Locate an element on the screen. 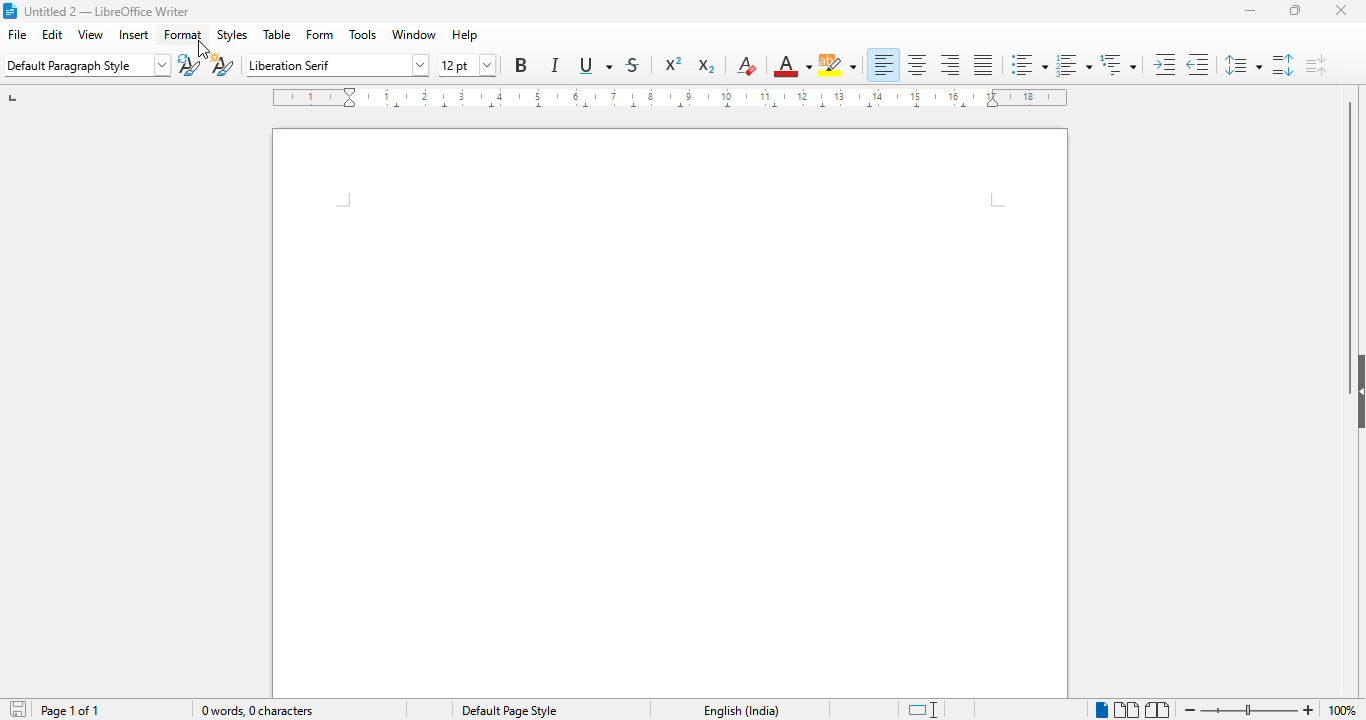  align left is located at coordinates (884, 64).